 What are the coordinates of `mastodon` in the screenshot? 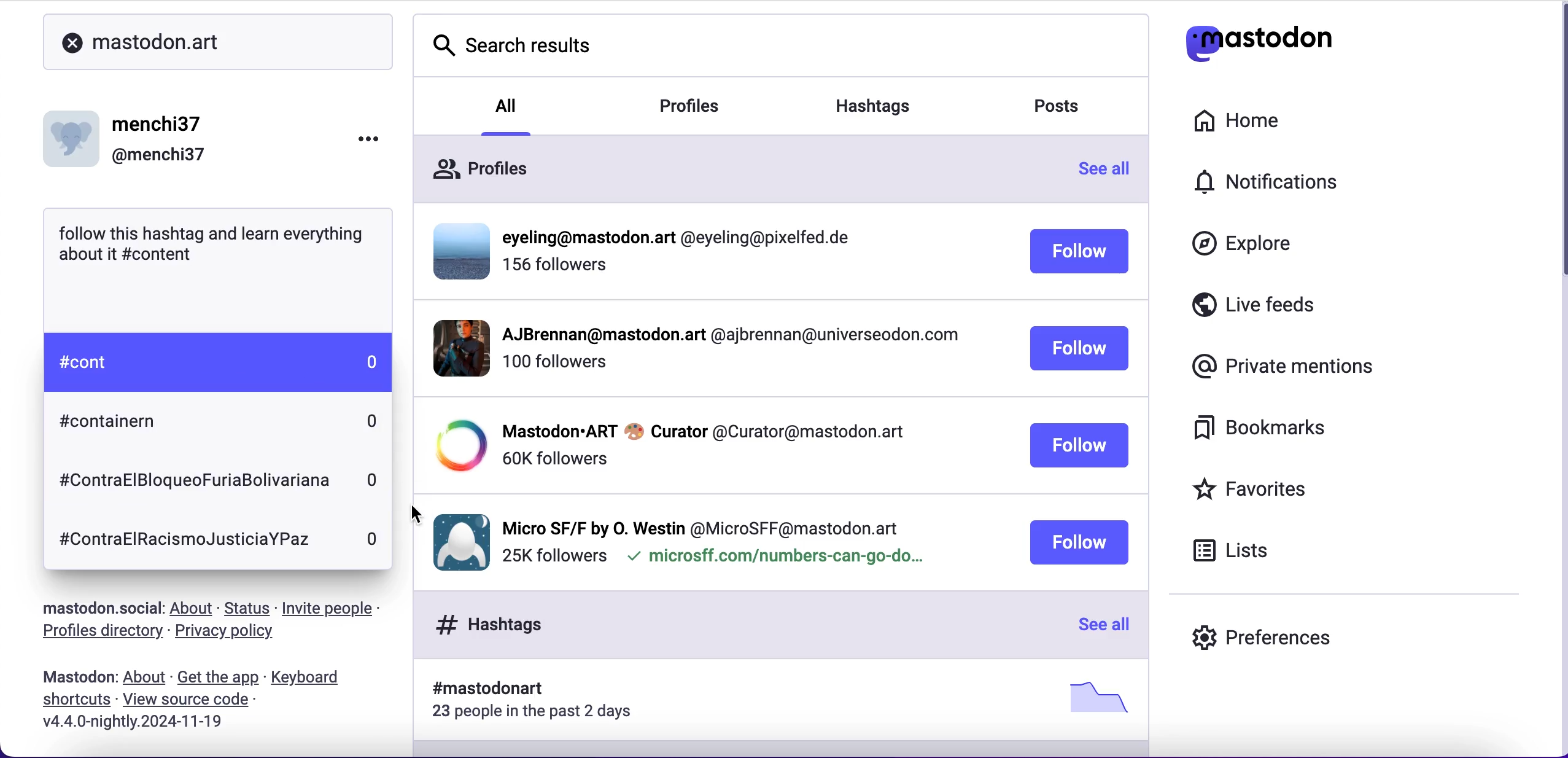 It's located at (74, 678).